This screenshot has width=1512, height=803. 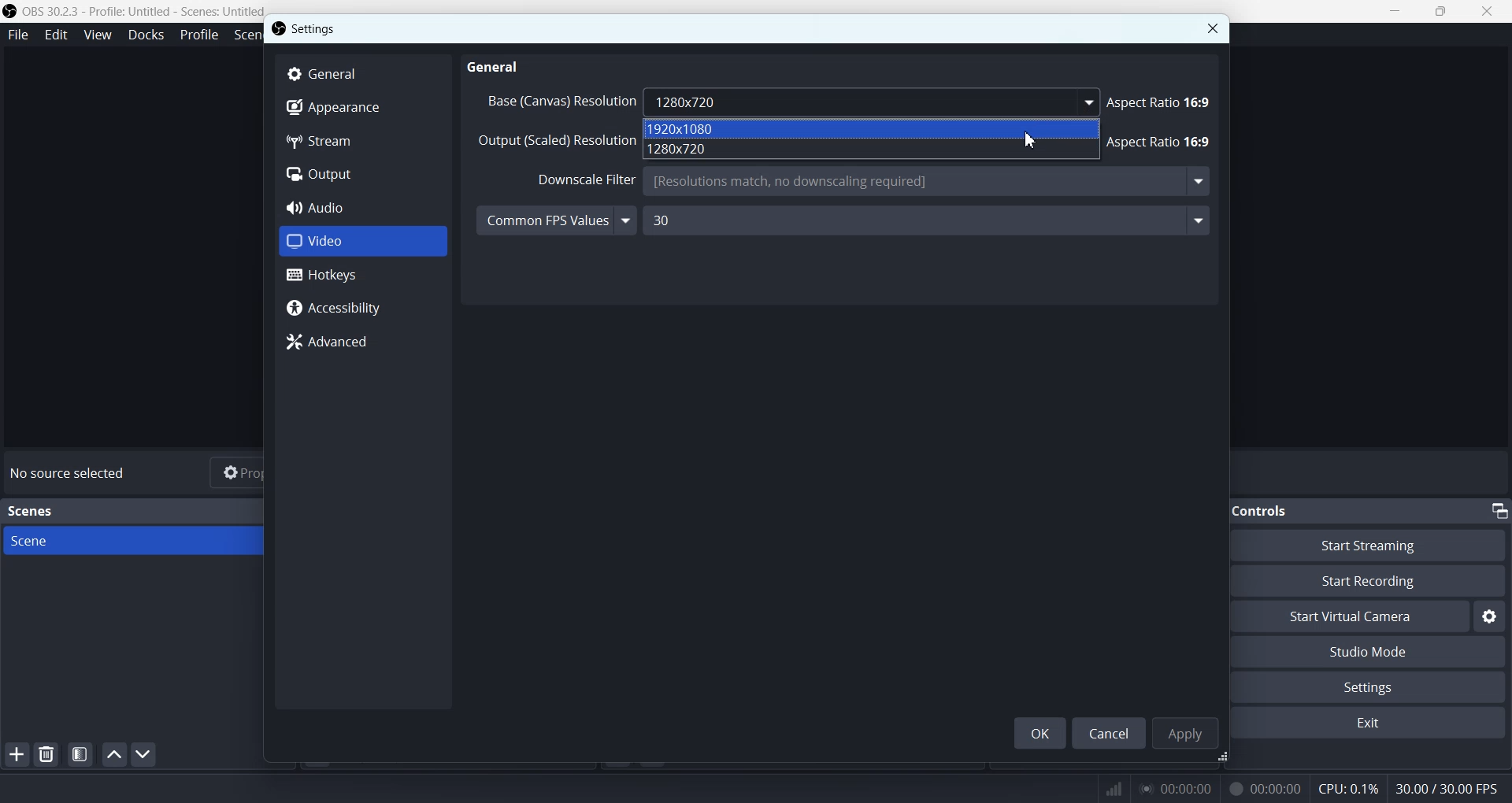 I want to click on Text, so click(x=71, y=473).